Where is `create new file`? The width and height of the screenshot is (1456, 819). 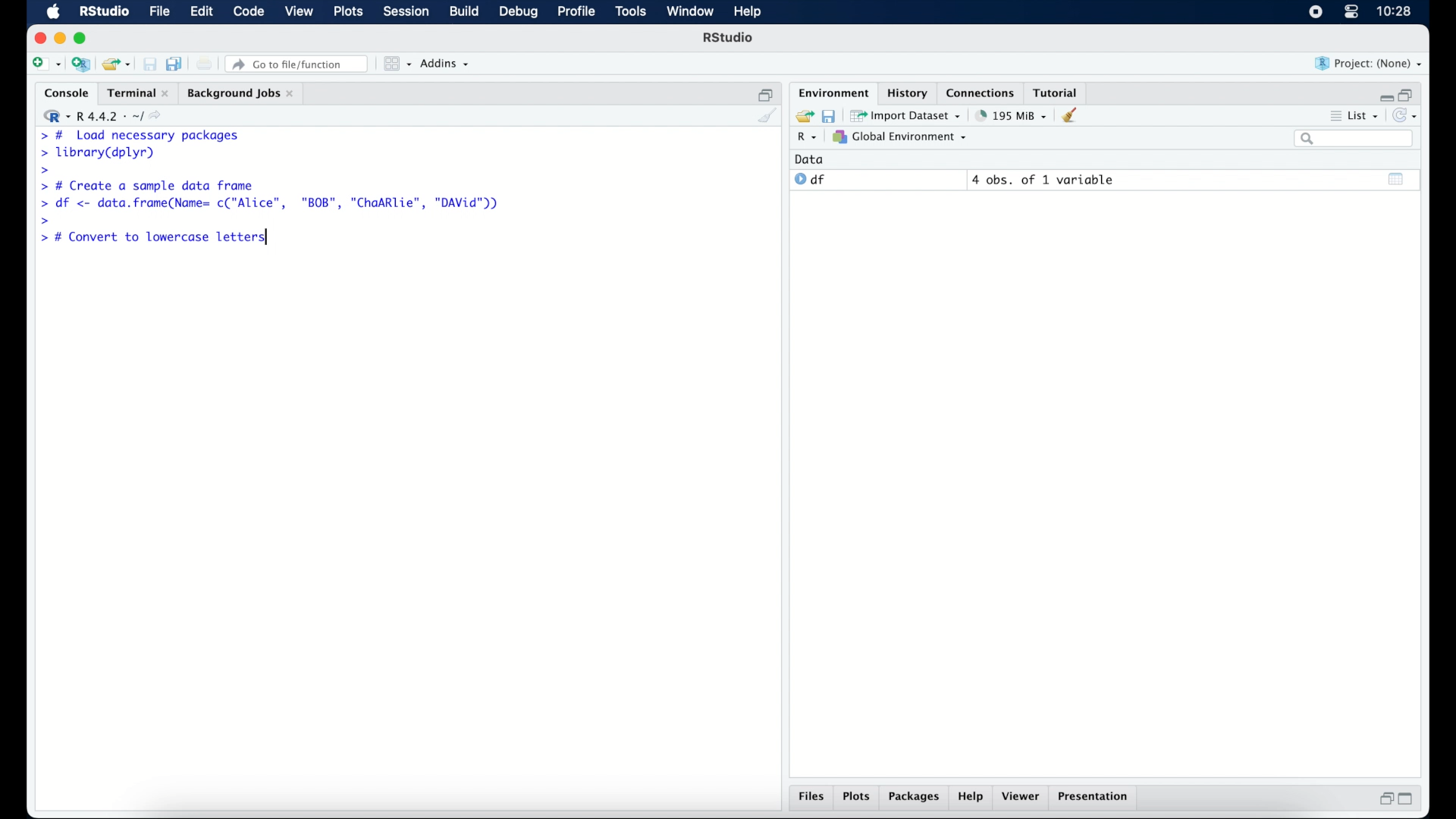 create new file is located at coordinates (45, 65).